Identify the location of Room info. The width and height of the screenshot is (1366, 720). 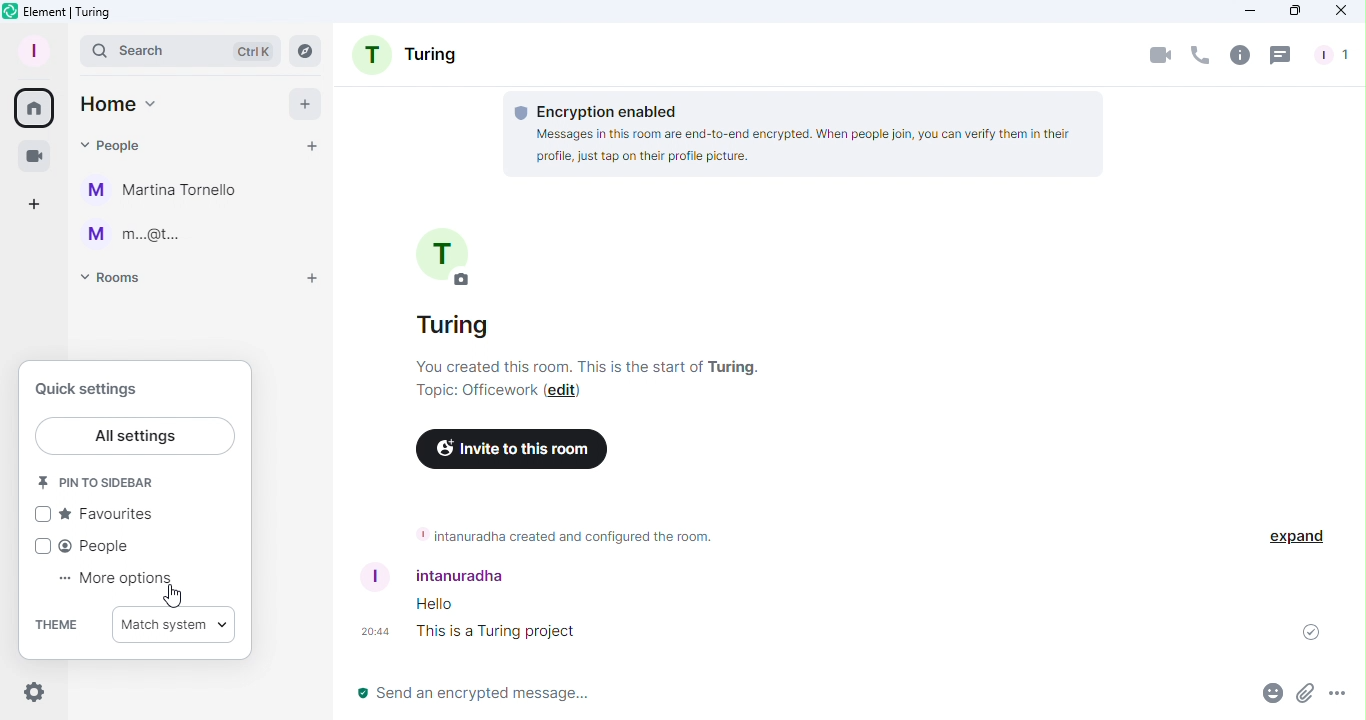
(1238, 57).